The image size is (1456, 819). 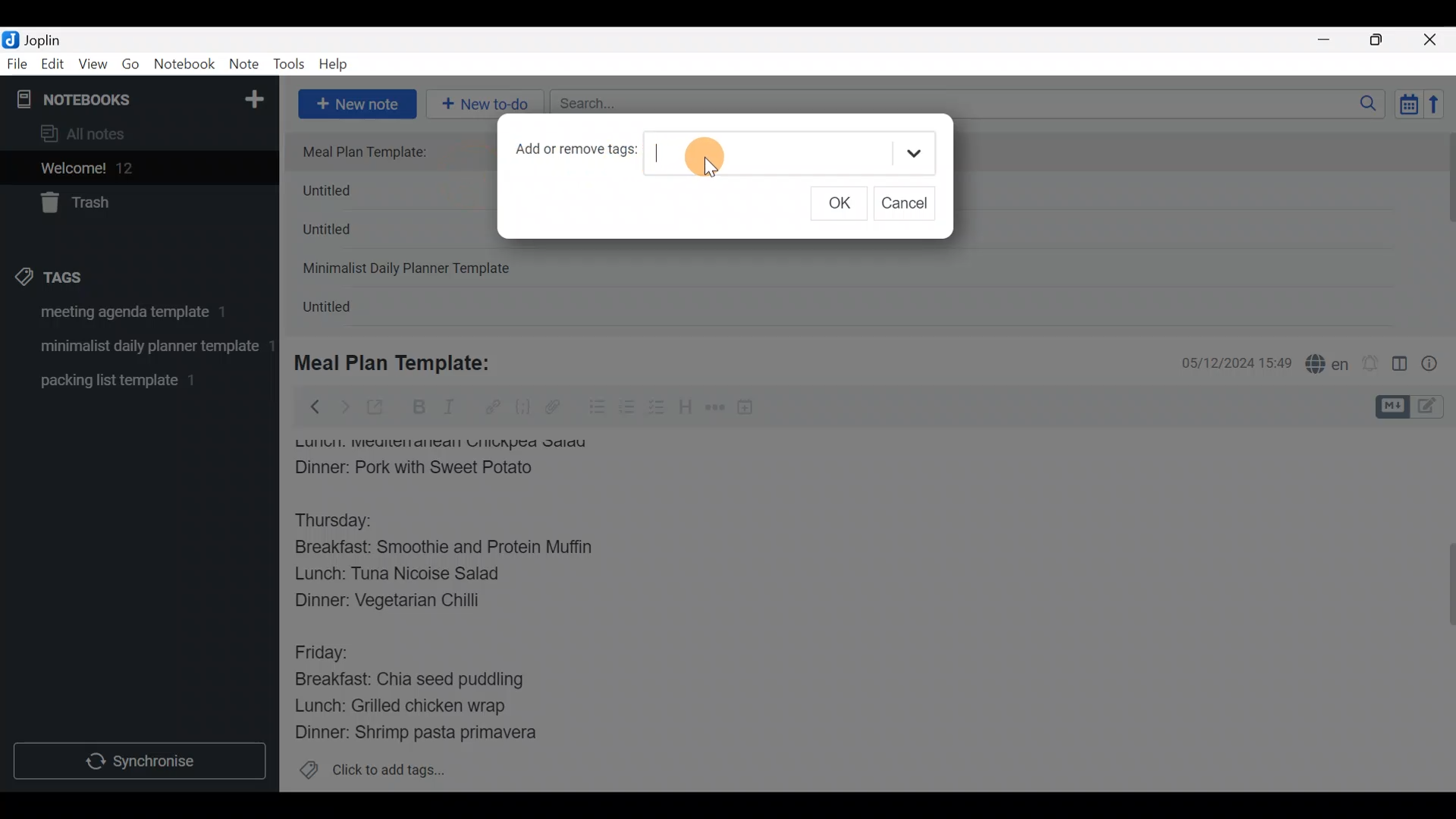 I want to click on Tags, so click(x=85, y=275).